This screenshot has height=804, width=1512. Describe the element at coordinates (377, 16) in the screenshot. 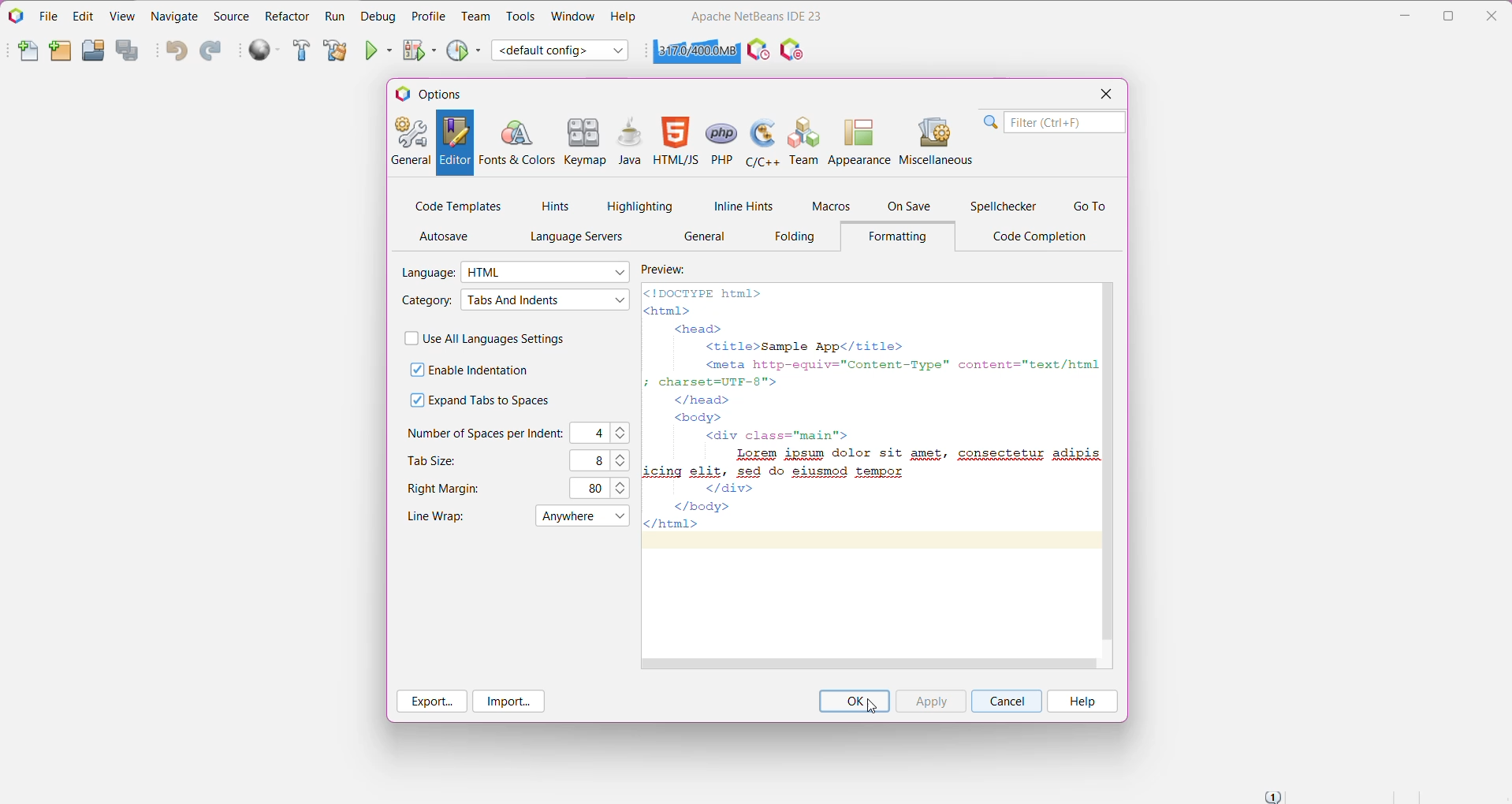

I see `Debug` at that location.